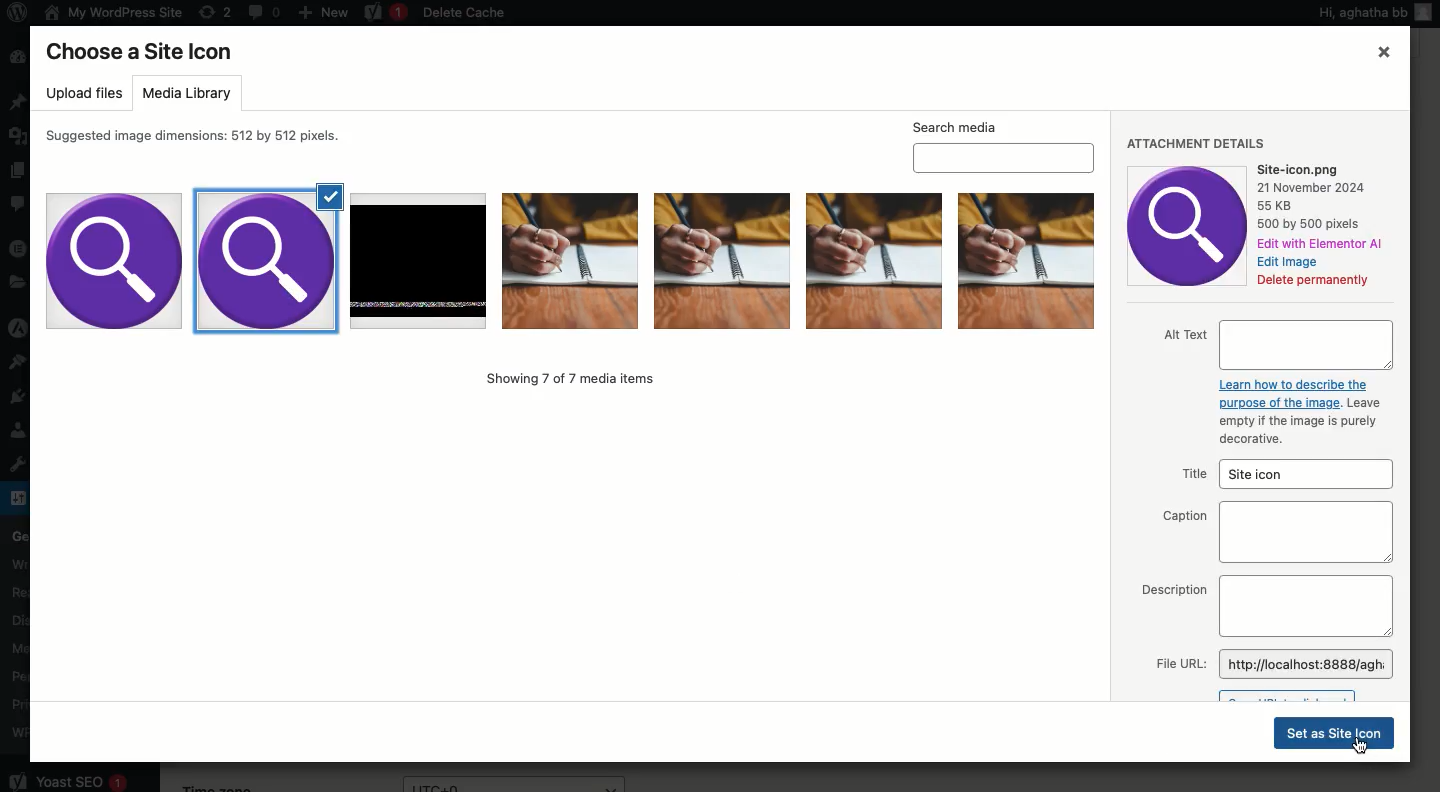 The image size is (1440, 792). Describe the element at coordinates (1324, 244) in the screenshot. I see `Edit with AI` at that location.